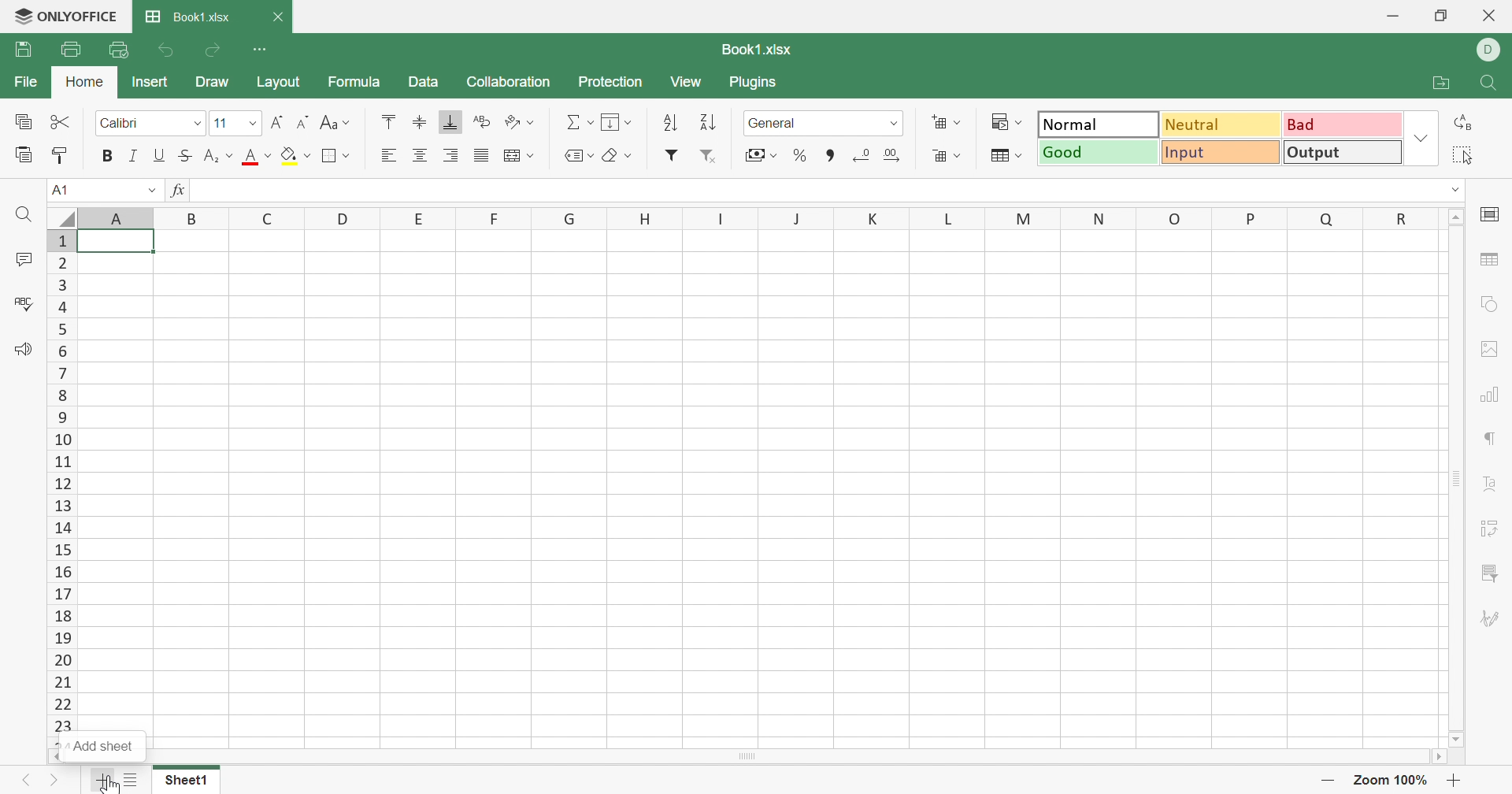  Describe the element at coordinates (508, 82) in the screenshot. I see `Collaboration` at that location.